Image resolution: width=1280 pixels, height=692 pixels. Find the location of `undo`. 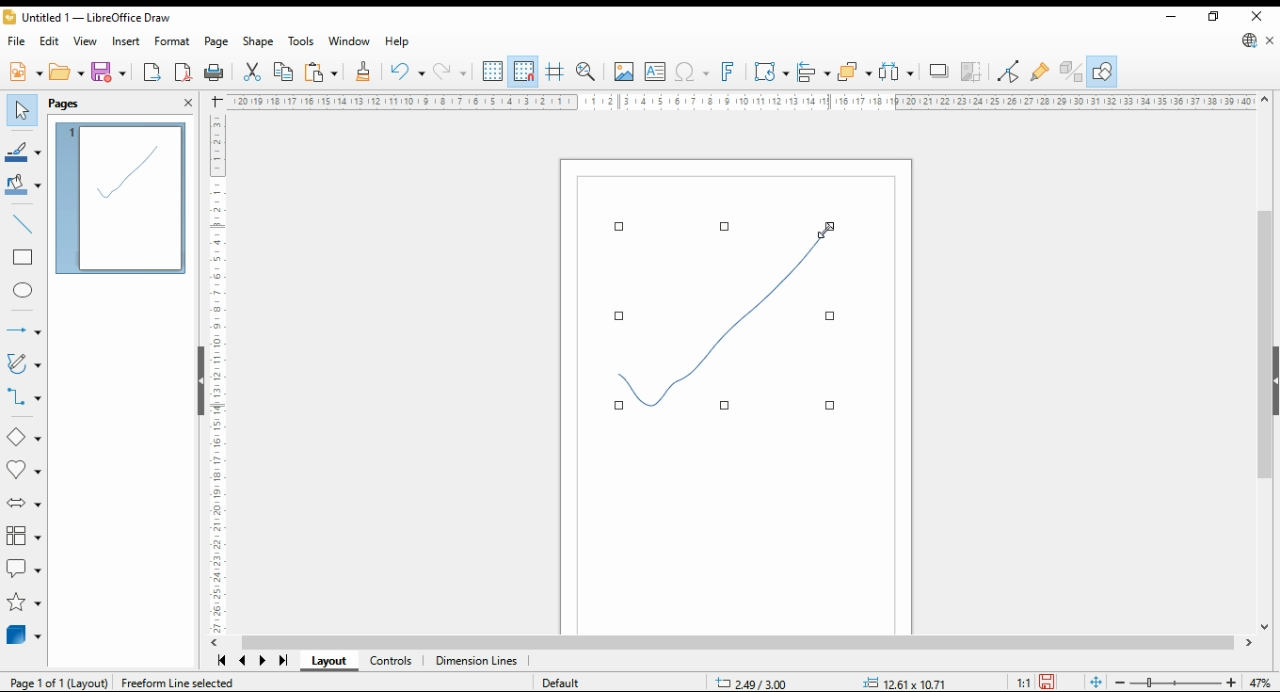

undo is located at coordinates (408, 72).